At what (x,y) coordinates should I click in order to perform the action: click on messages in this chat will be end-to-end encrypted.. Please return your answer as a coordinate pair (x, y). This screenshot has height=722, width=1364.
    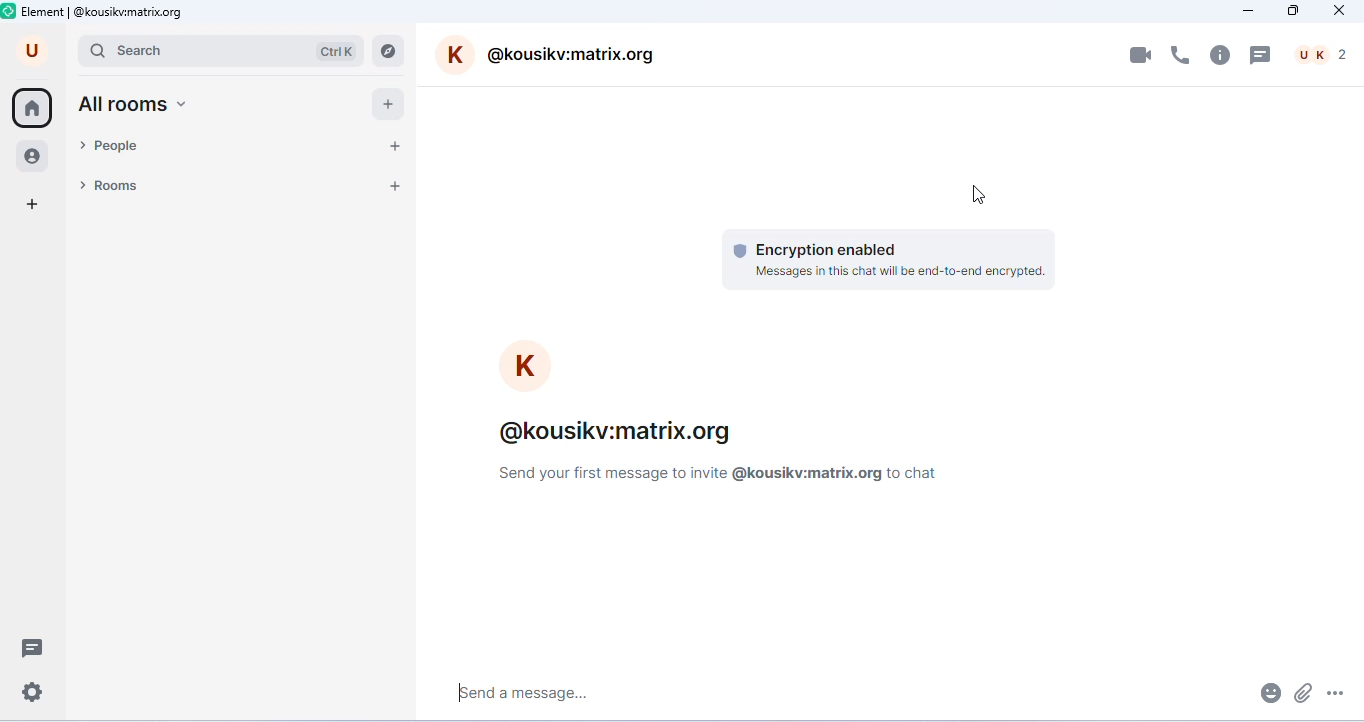
    Looking at the image, I should click on (901, 272).